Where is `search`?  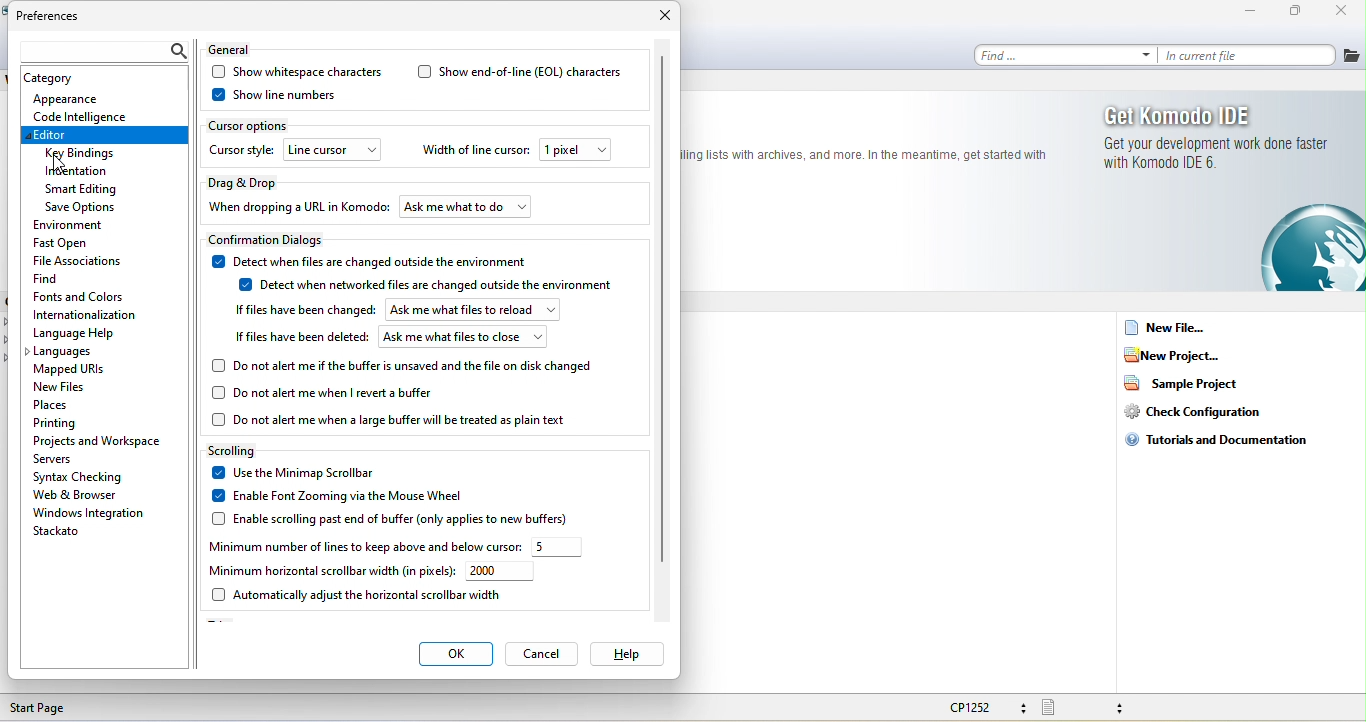
search is located at coordinates (100, 52).